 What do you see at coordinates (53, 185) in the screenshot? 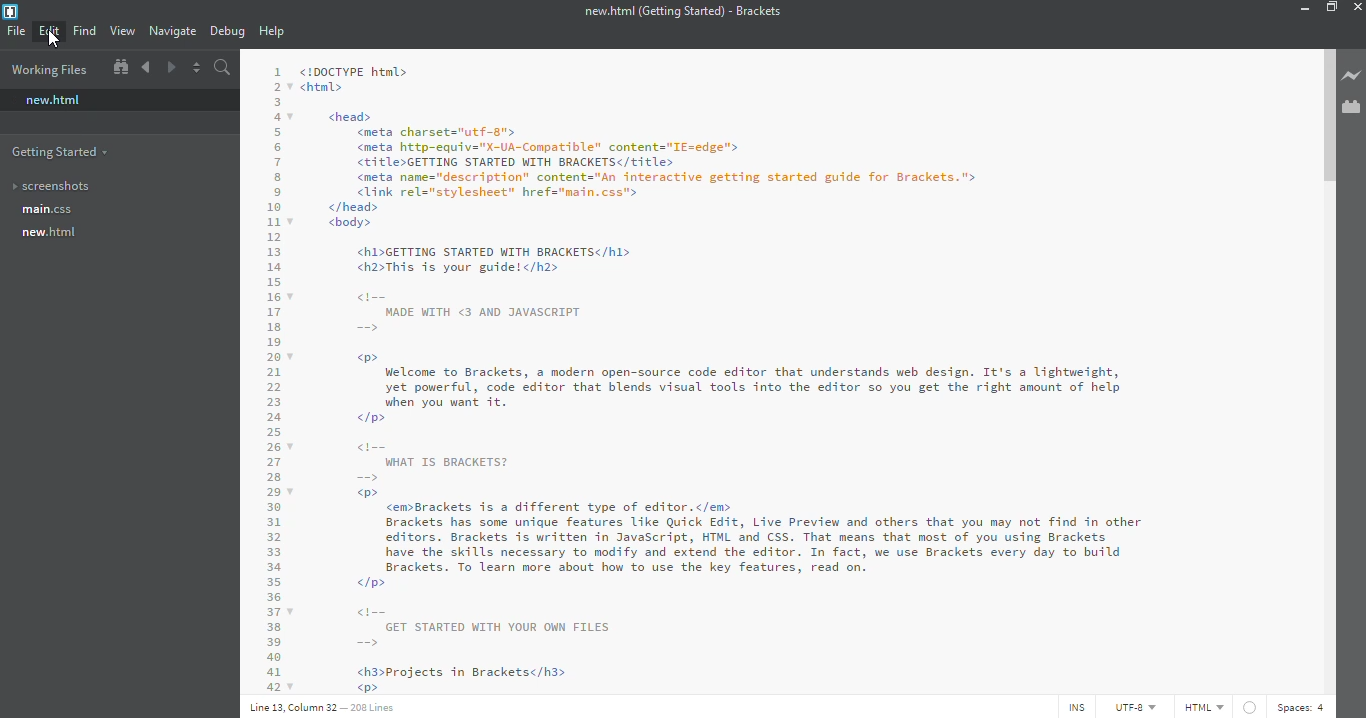
I see `screenshots` at bounding box center [53, 185].